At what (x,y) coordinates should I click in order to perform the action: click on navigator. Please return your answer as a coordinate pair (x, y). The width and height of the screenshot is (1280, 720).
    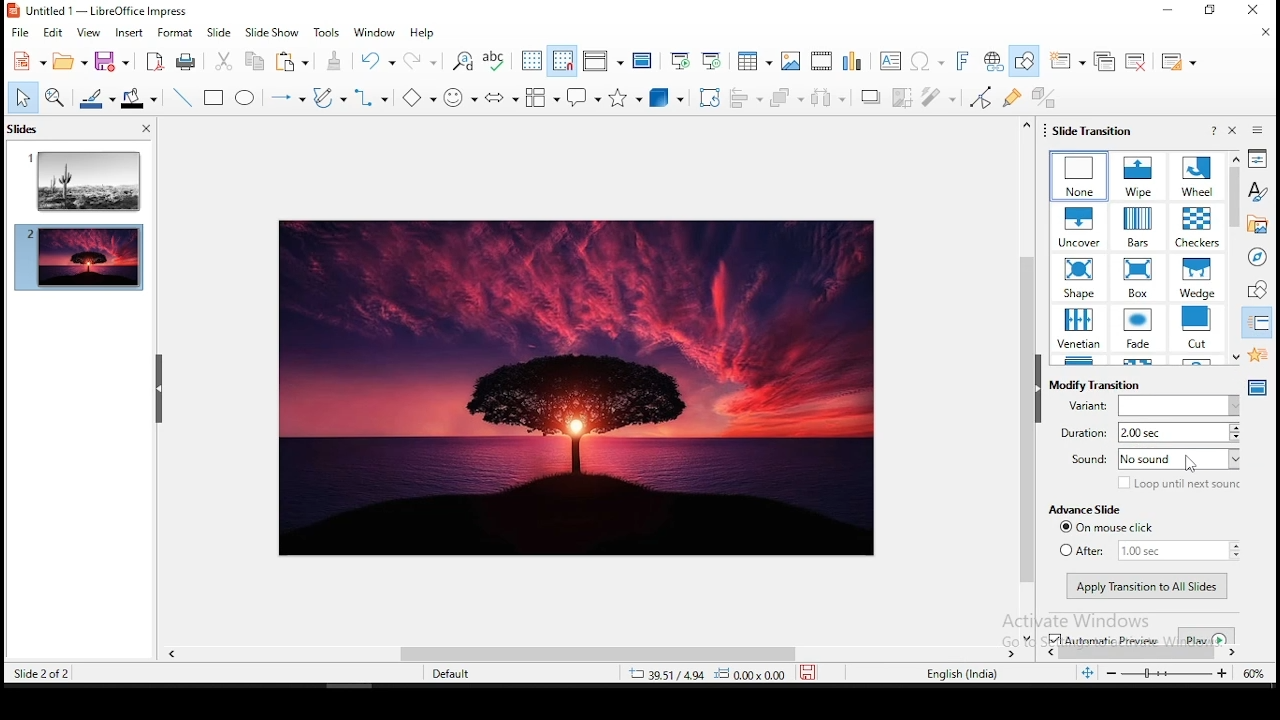
    Looking at the image, I should click on (1262, 256).